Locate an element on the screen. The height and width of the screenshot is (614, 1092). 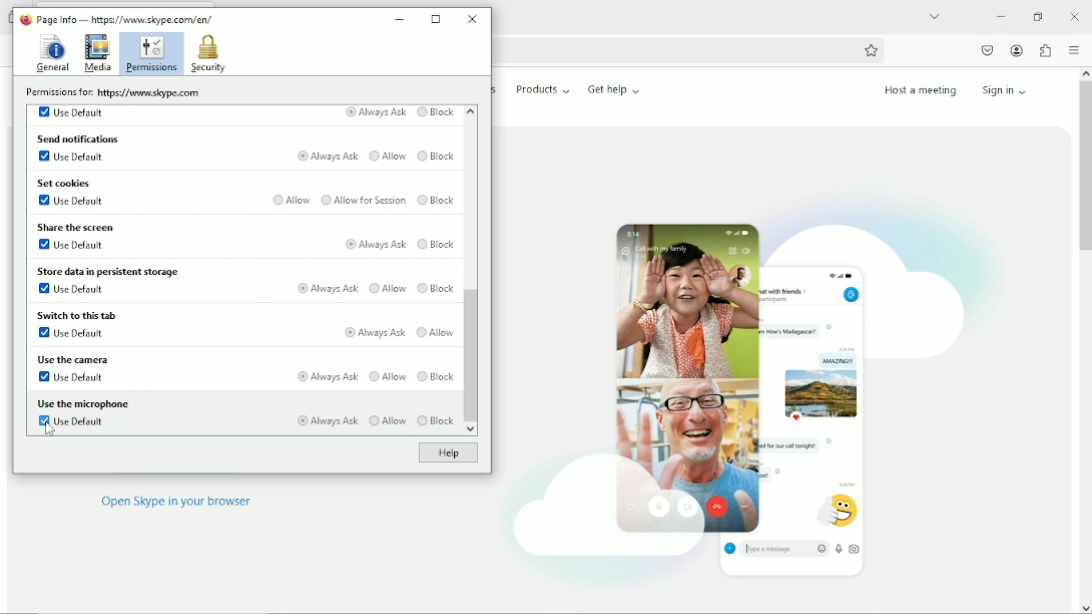
scroll up is located at coordinates (468, 113).